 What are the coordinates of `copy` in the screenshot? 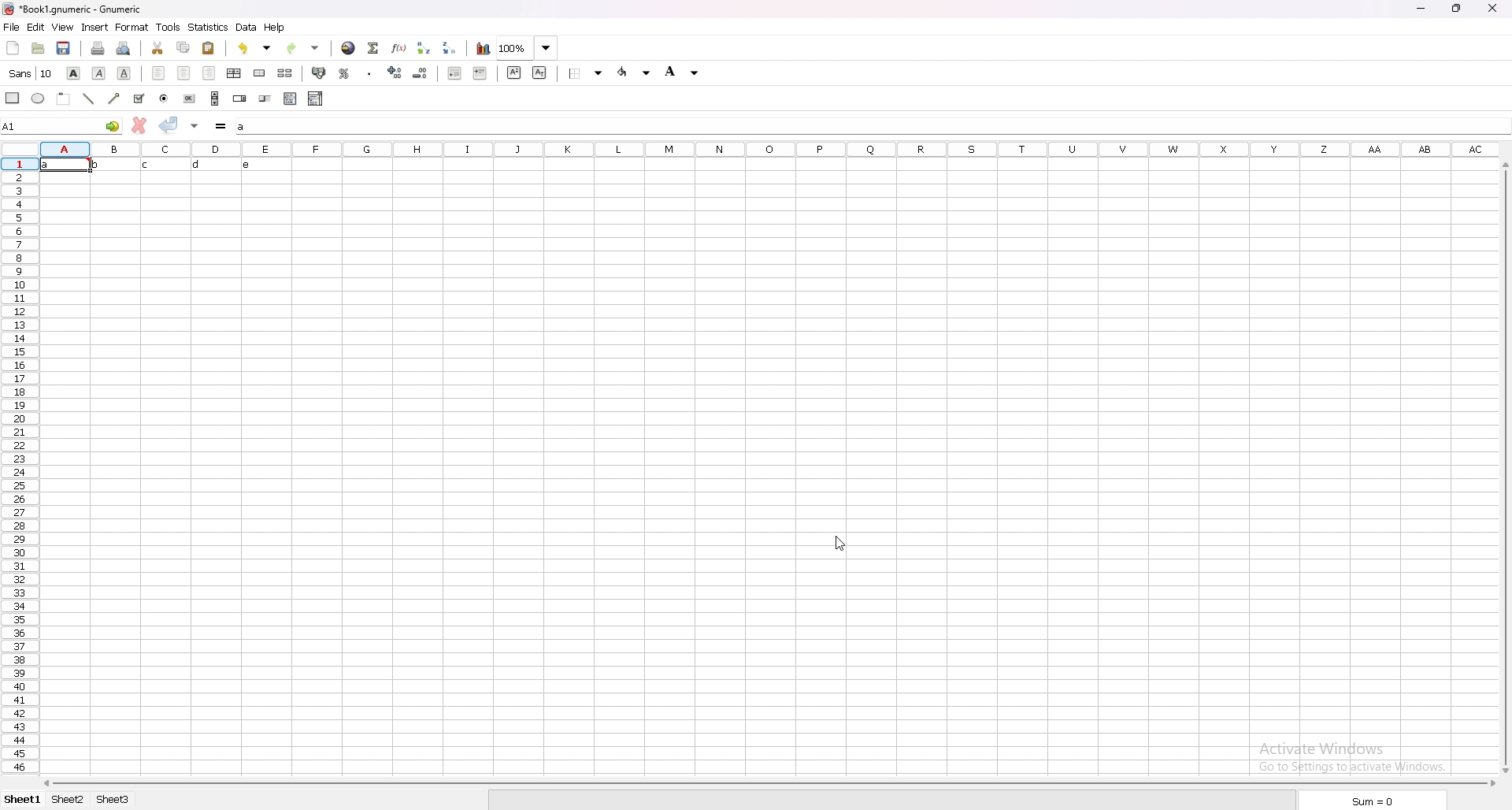 It's located at (184, 46).